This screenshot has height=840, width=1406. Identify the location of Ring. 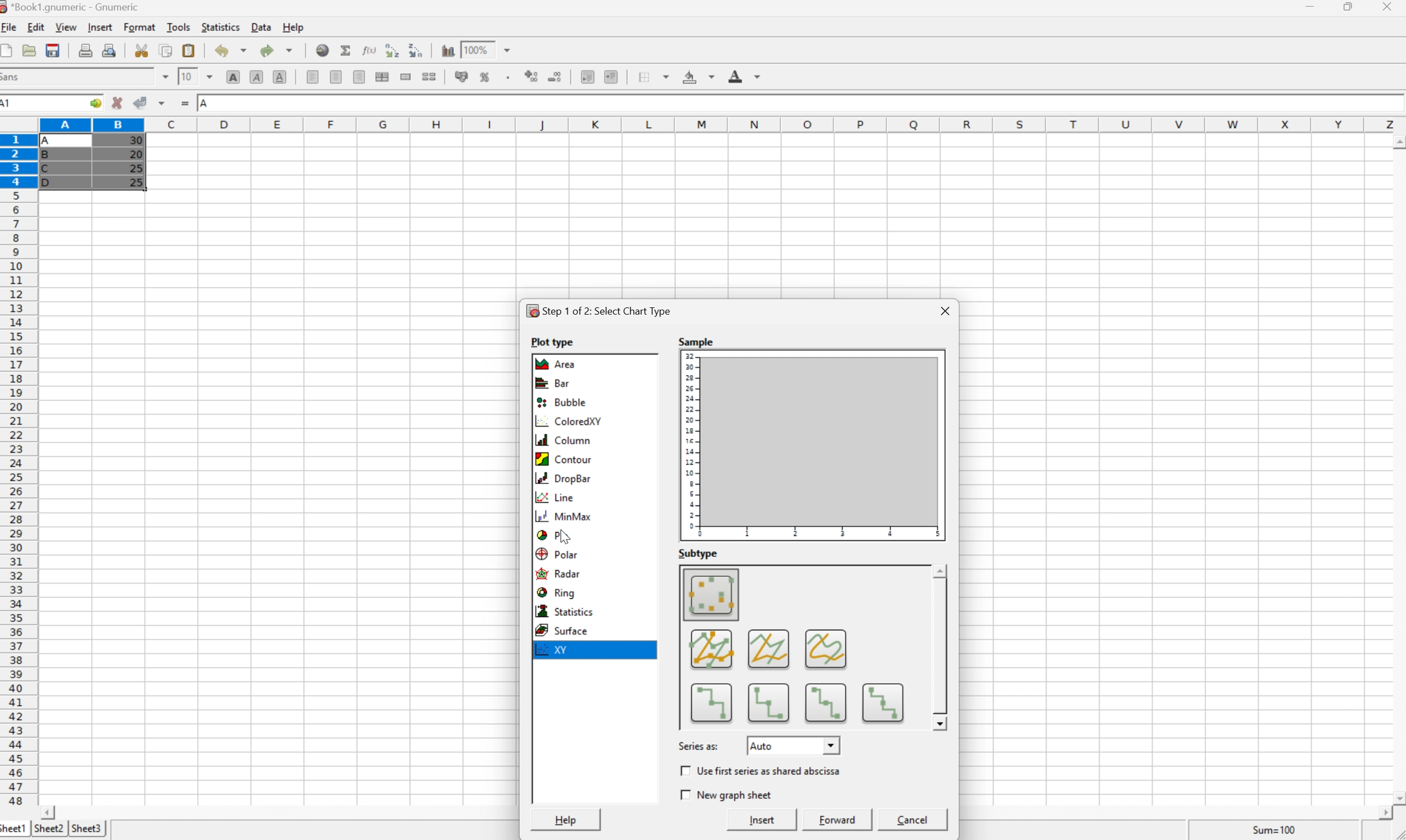
(555, 592).